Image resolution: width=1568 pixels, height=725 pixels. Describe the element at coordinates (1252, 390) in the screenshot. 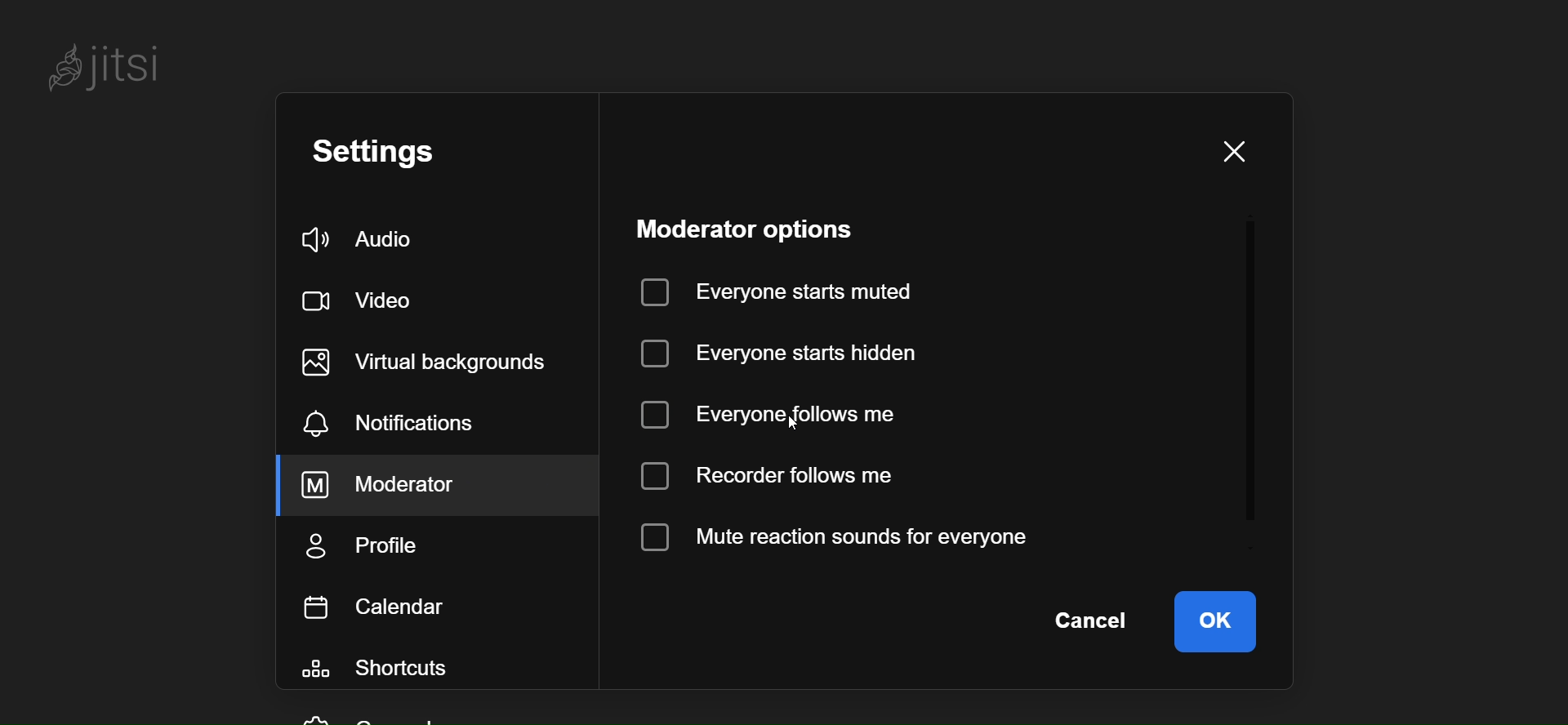

I see `scroll bar` at that location.